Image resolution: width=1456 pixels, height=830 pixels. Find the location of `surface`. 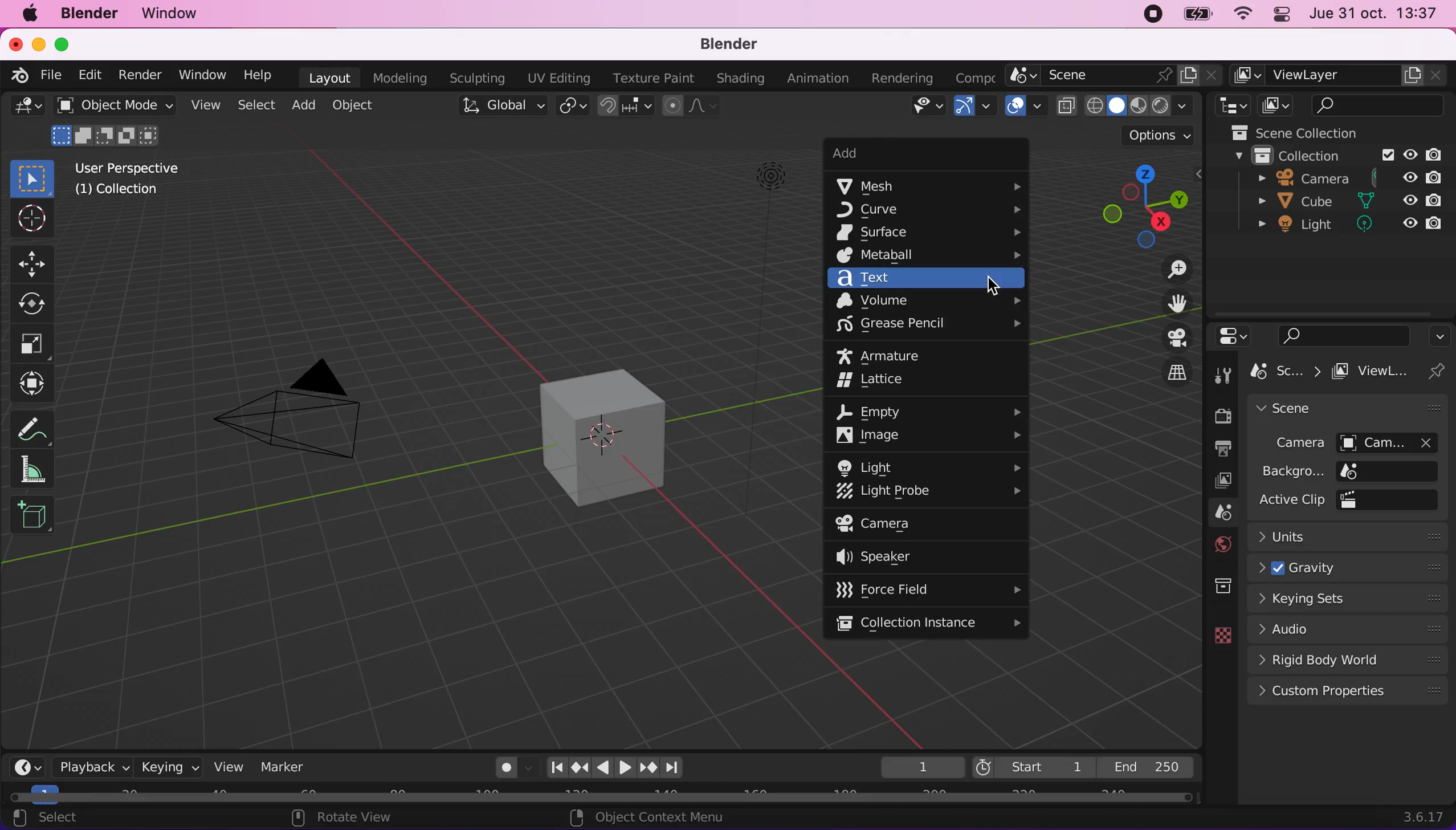

surface is located at coordinates (928, 231).